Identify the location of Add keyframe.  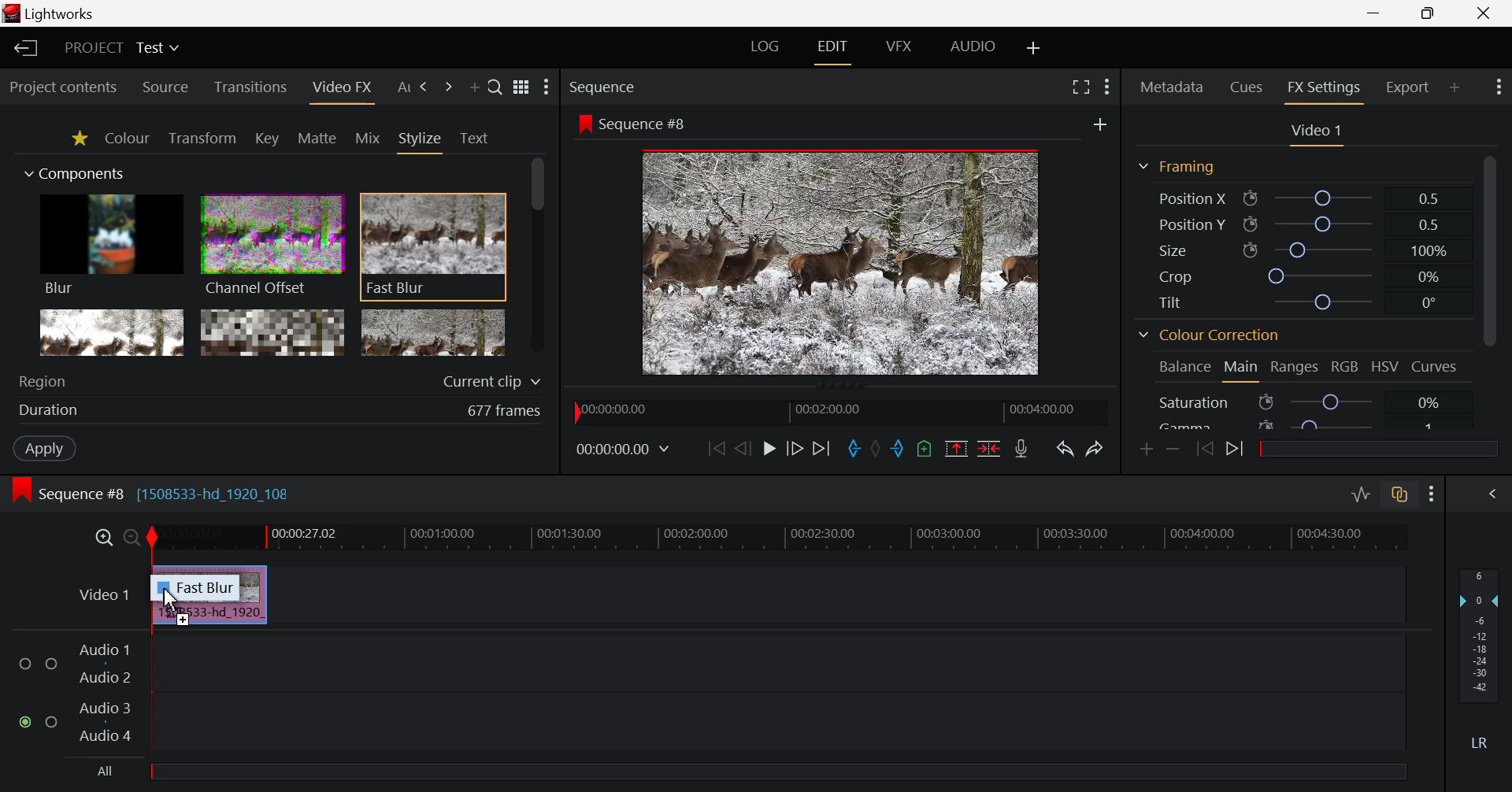
(1145, 452).